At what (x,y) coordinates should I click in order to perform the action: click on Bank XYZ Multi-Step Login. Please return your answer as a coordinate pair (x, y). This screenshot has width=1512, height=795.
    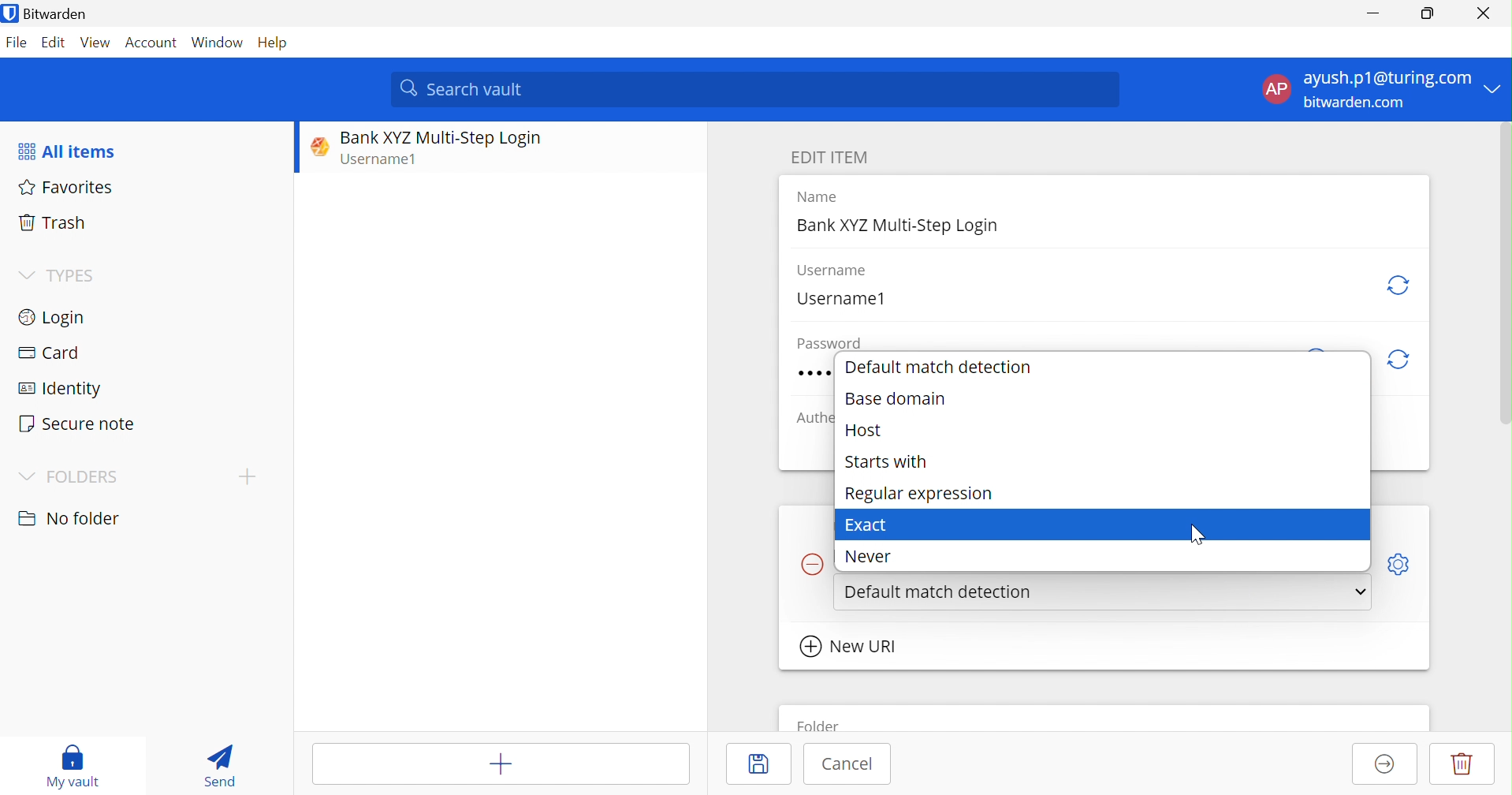
    Looking at the image, I should click on (441, 138).